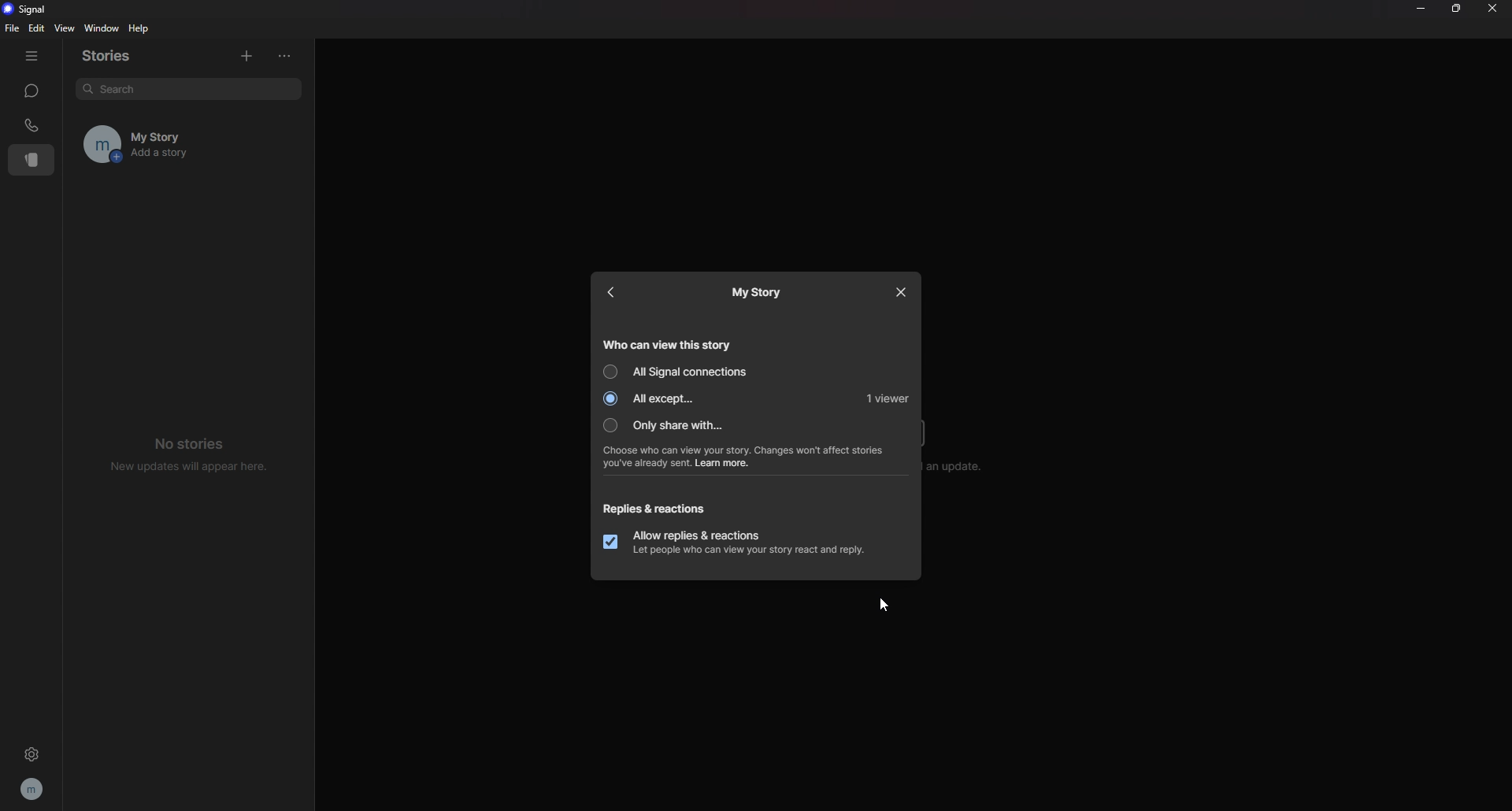 Image resolution: width=1512 pixels, height=811 pixels. What do you see at coordinates (191, 453) in the screenshot?
I see `no stories new updates will appear here` at bounding box center [191, 453].